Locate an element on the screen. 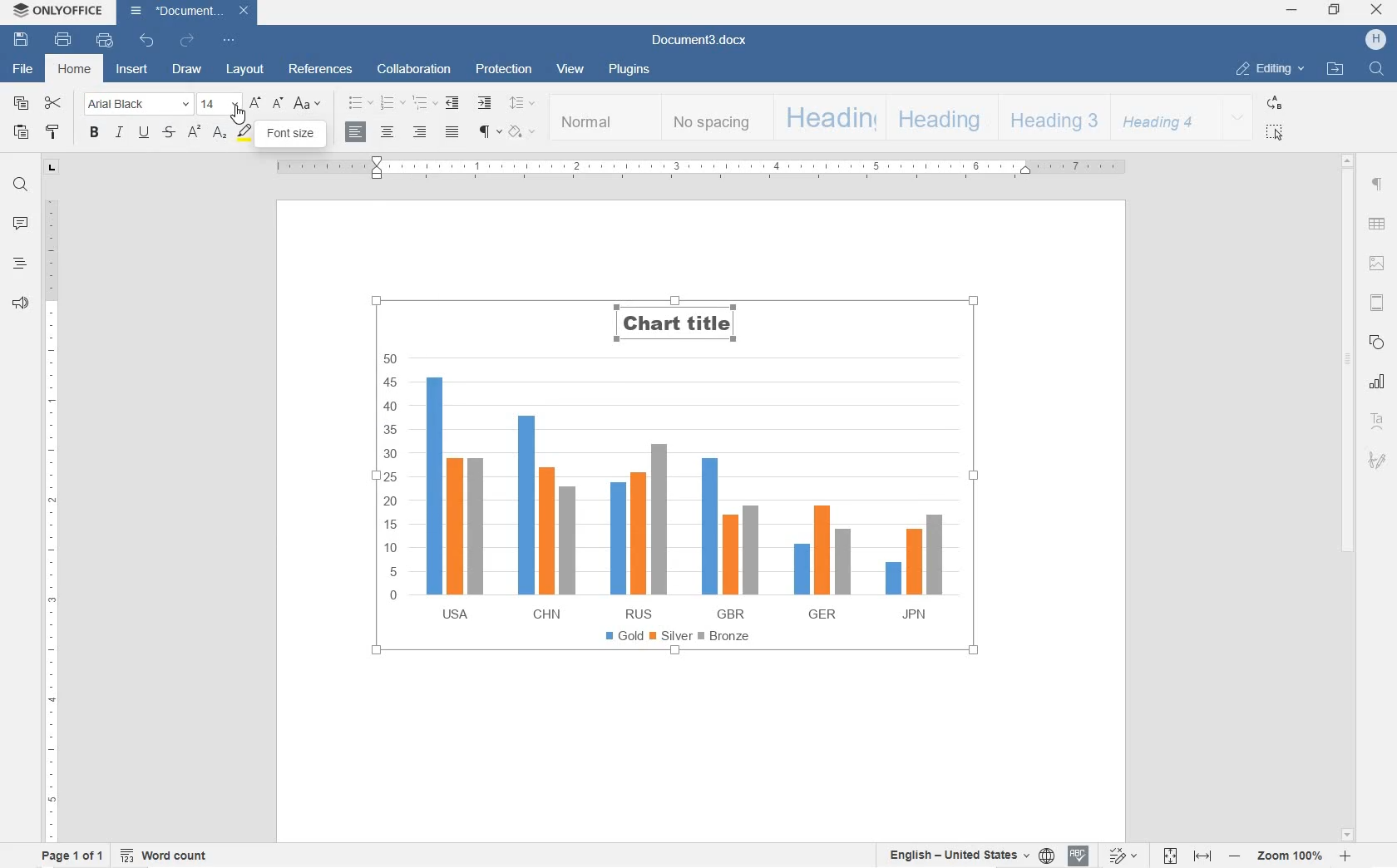  FILE is located at coordinates (24, 70).